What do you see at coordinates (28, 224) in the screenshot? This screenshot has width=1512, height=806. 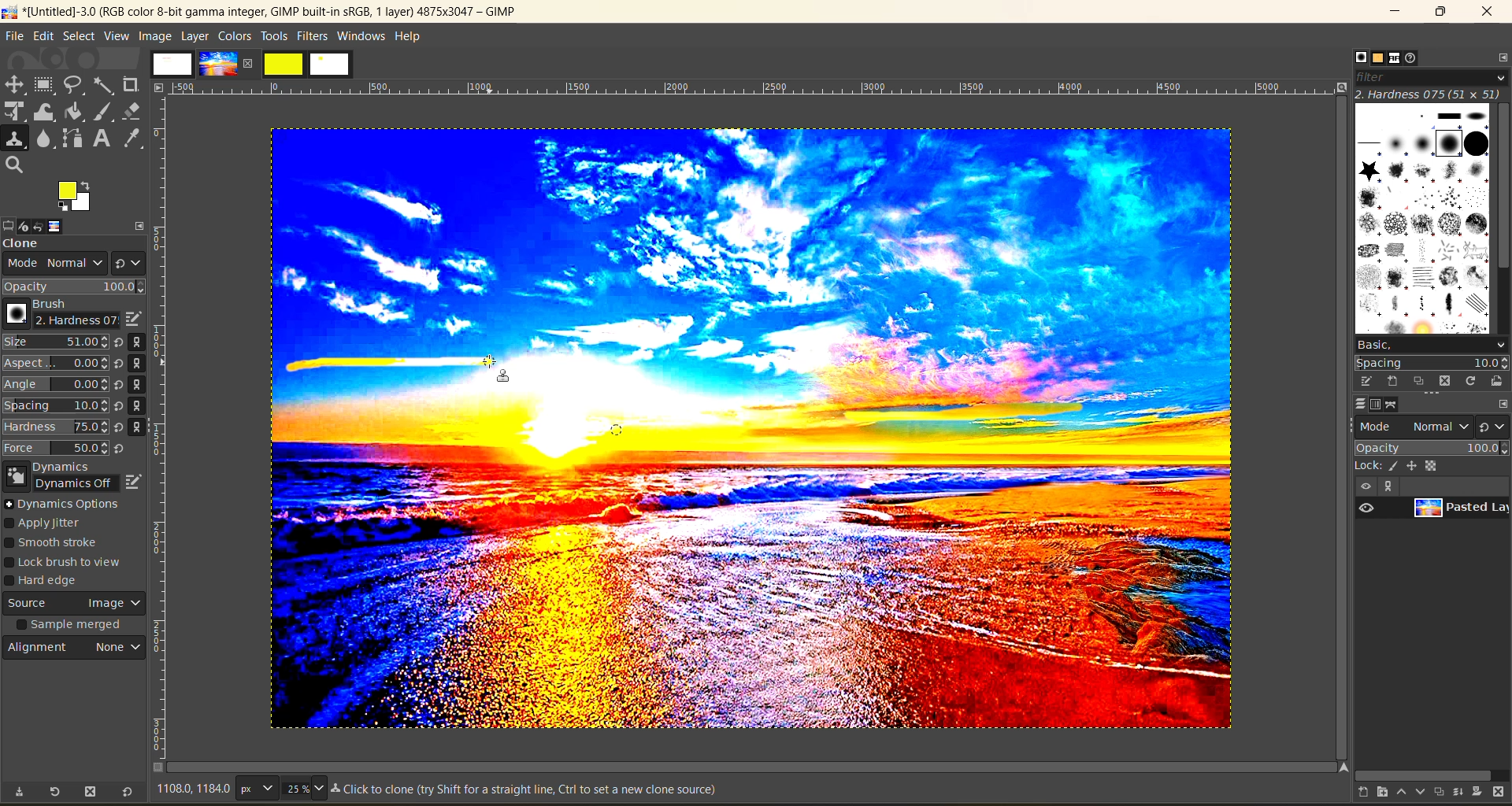 I see `device status` at bounding box center [28, 224].